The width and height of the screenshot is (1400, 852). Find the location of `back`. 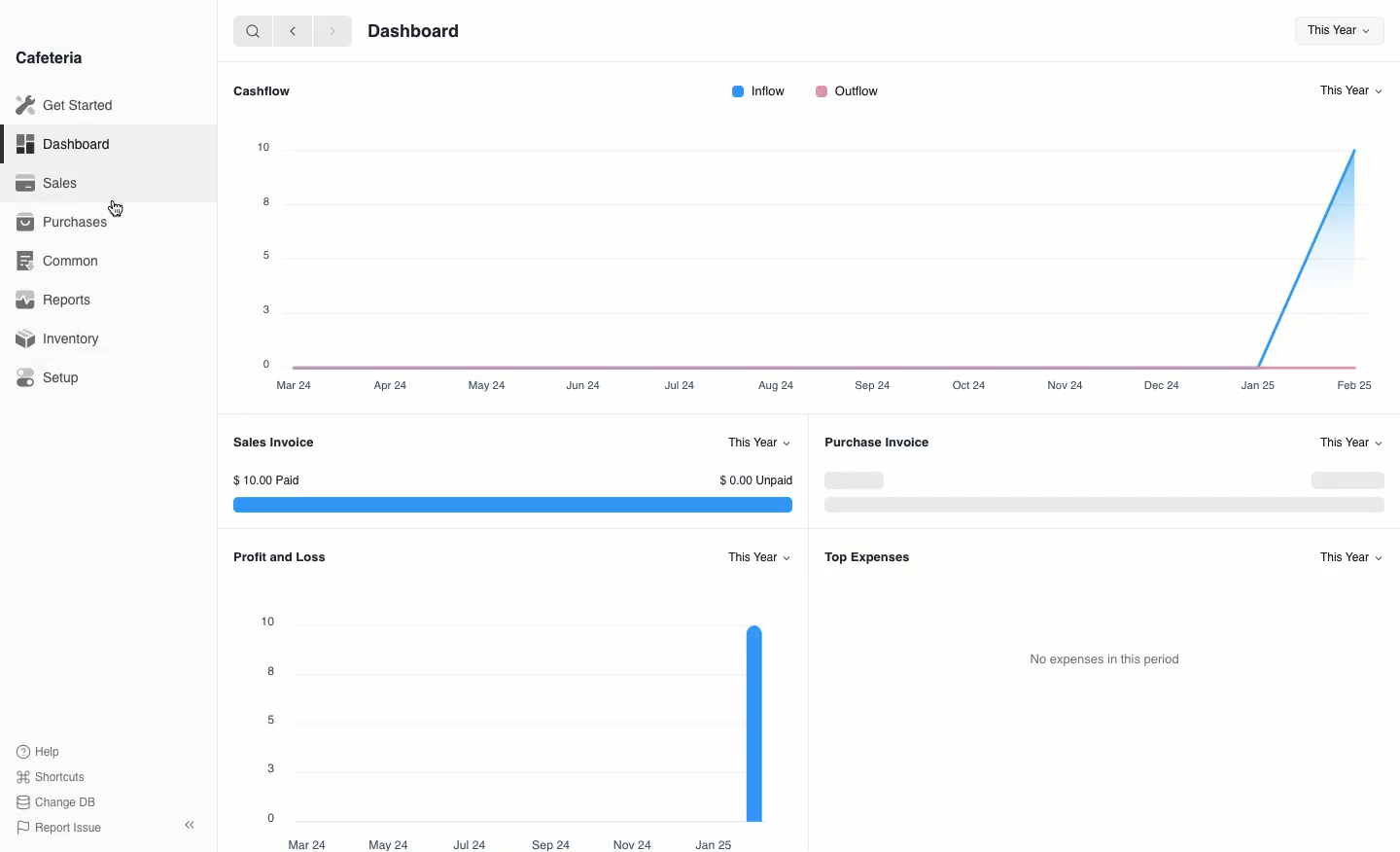

back is located at coordinates (296, 31).